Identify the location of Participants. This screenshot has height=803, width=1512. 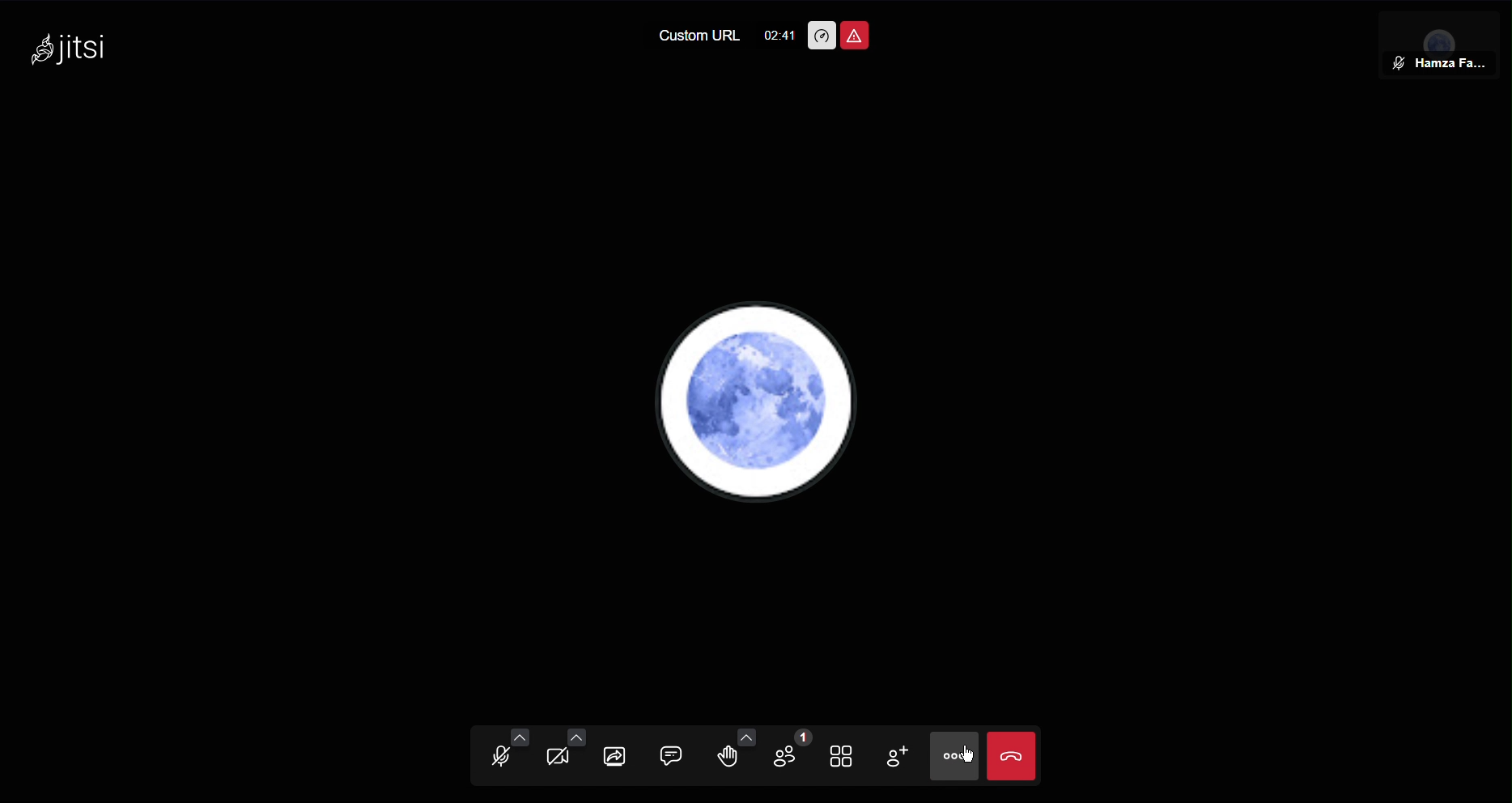
(794, 756).